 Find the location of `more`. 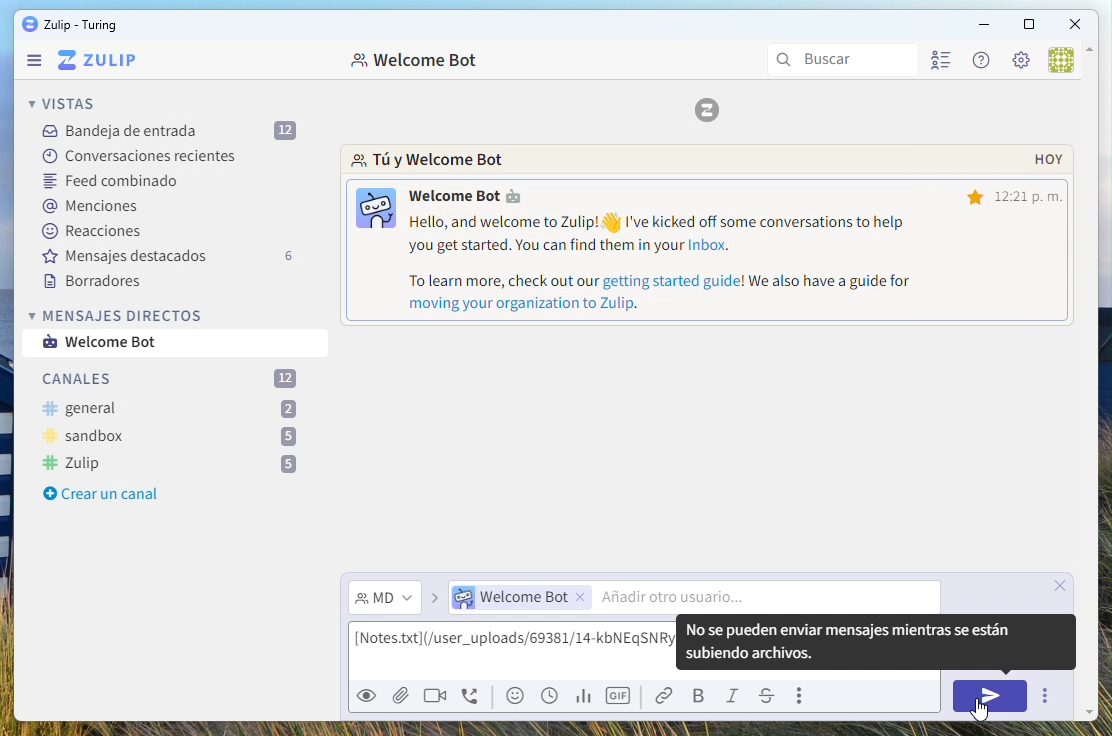

more is located at coordinates (1044, 696).